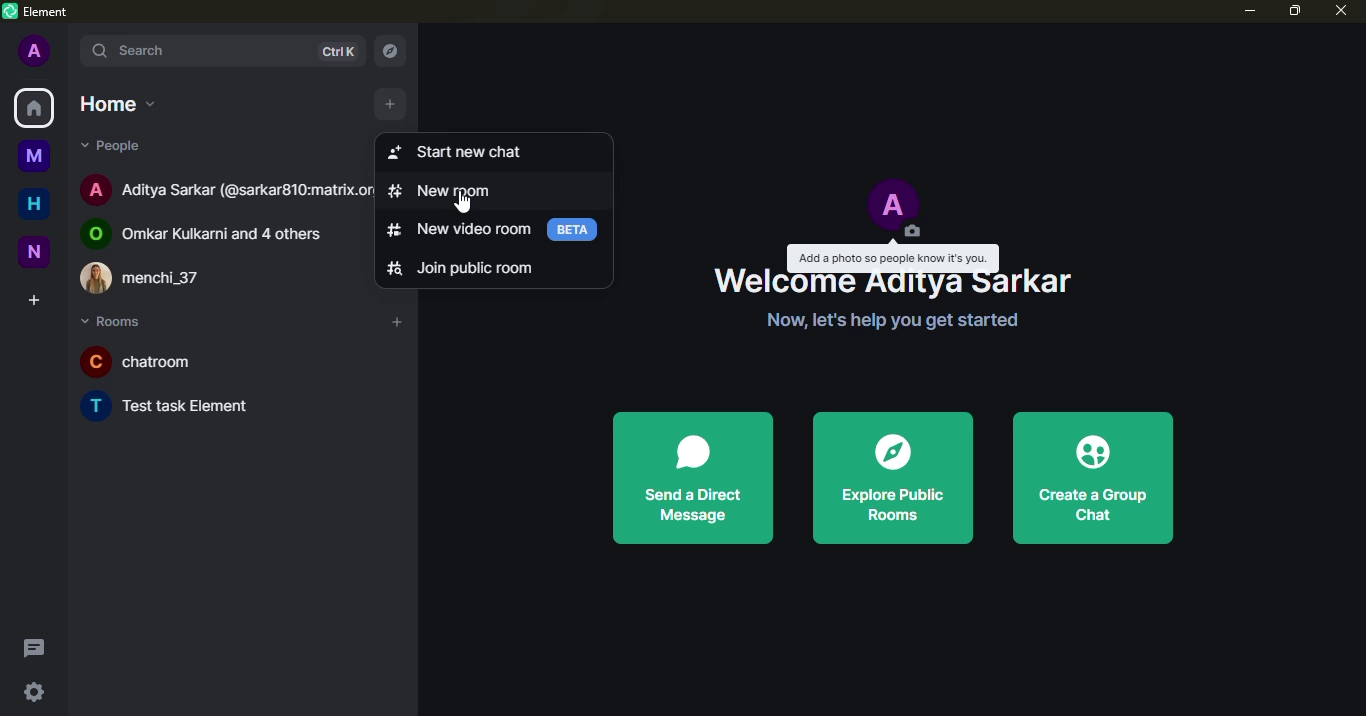 The height and width of the screenshot is (716, 1366). What do you see at coordinates (34, 647) in the screenshot?
I see `threads` at bounding box center [34, 647].